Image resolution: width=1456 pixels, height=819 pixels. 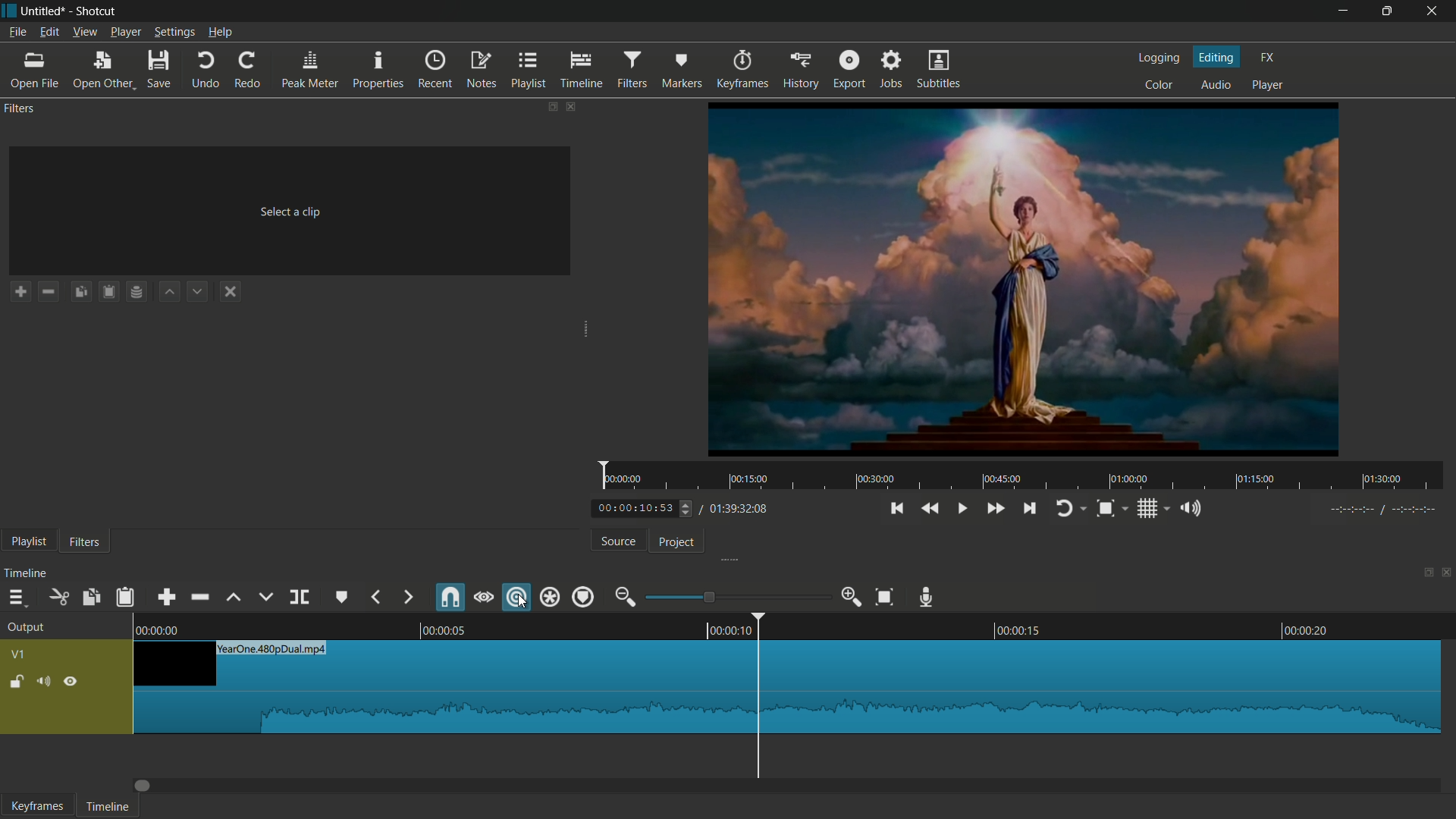 I want to click on project, so click(x=677, y=542).